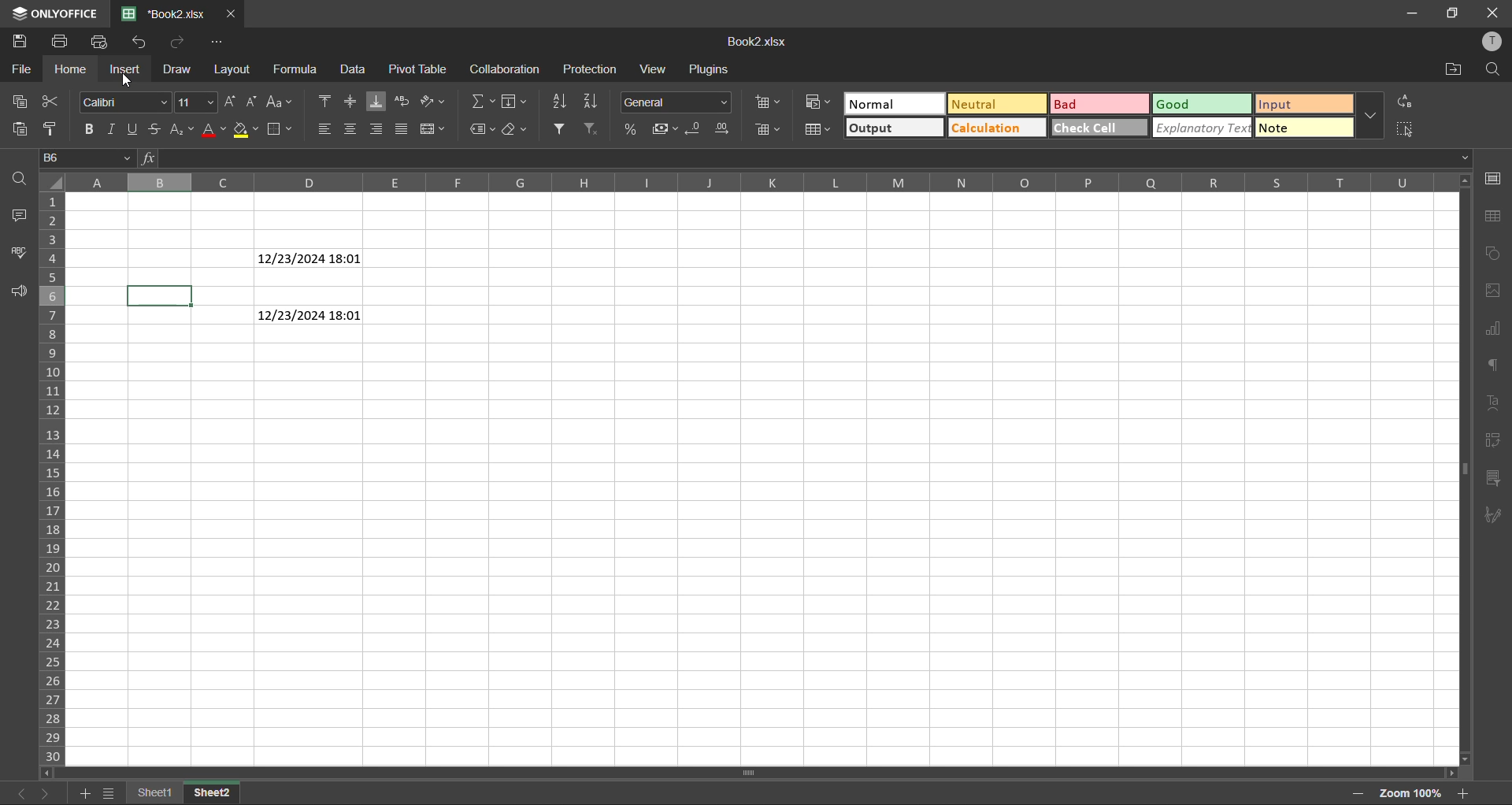 This screenshot has width=1512, height=805. I want to click on font size, so click(198, 102).